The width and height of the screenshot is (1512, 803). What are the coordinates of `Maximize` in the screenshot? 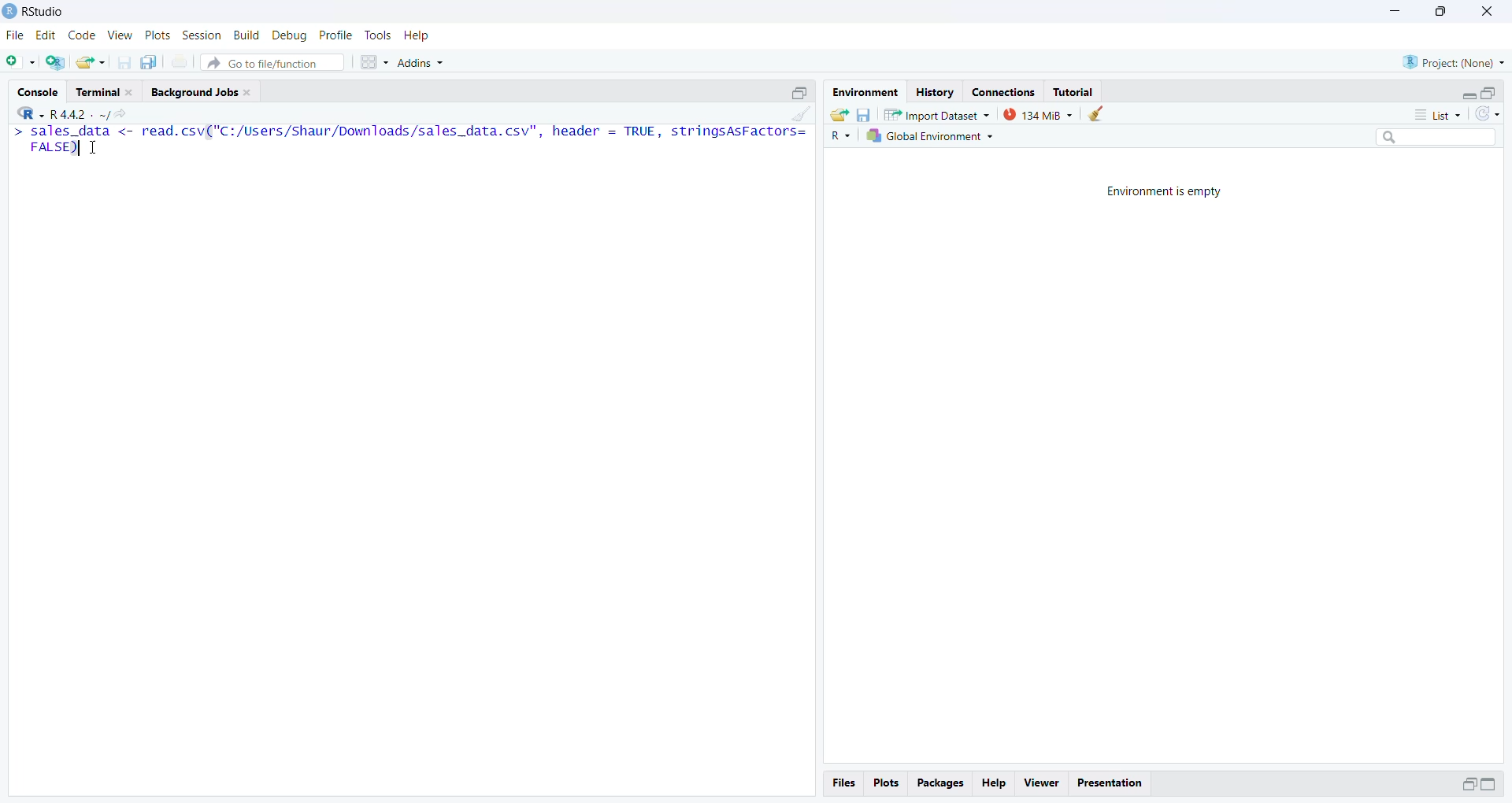 It's located at (1467, 785).